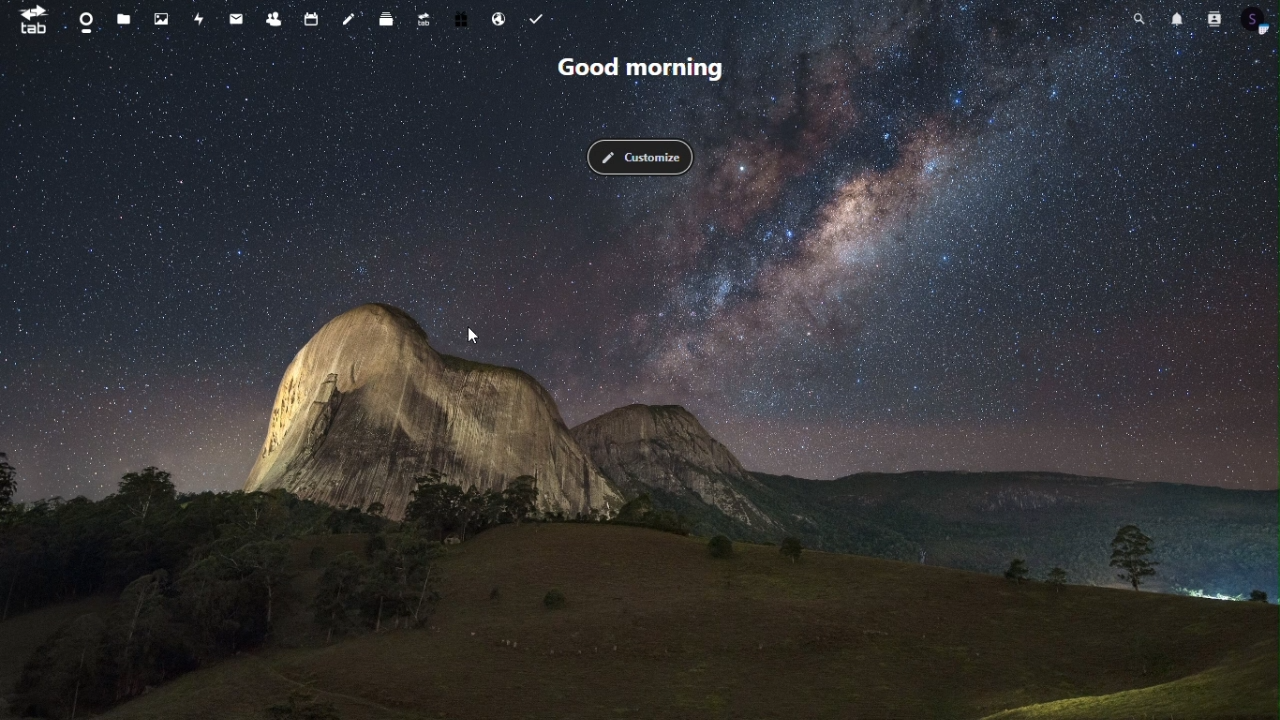 The width and height of the screenshot is (1280, 720). Describe the element at coordinates (423, 20) in the screenshot. I see `upgrade` at that location.